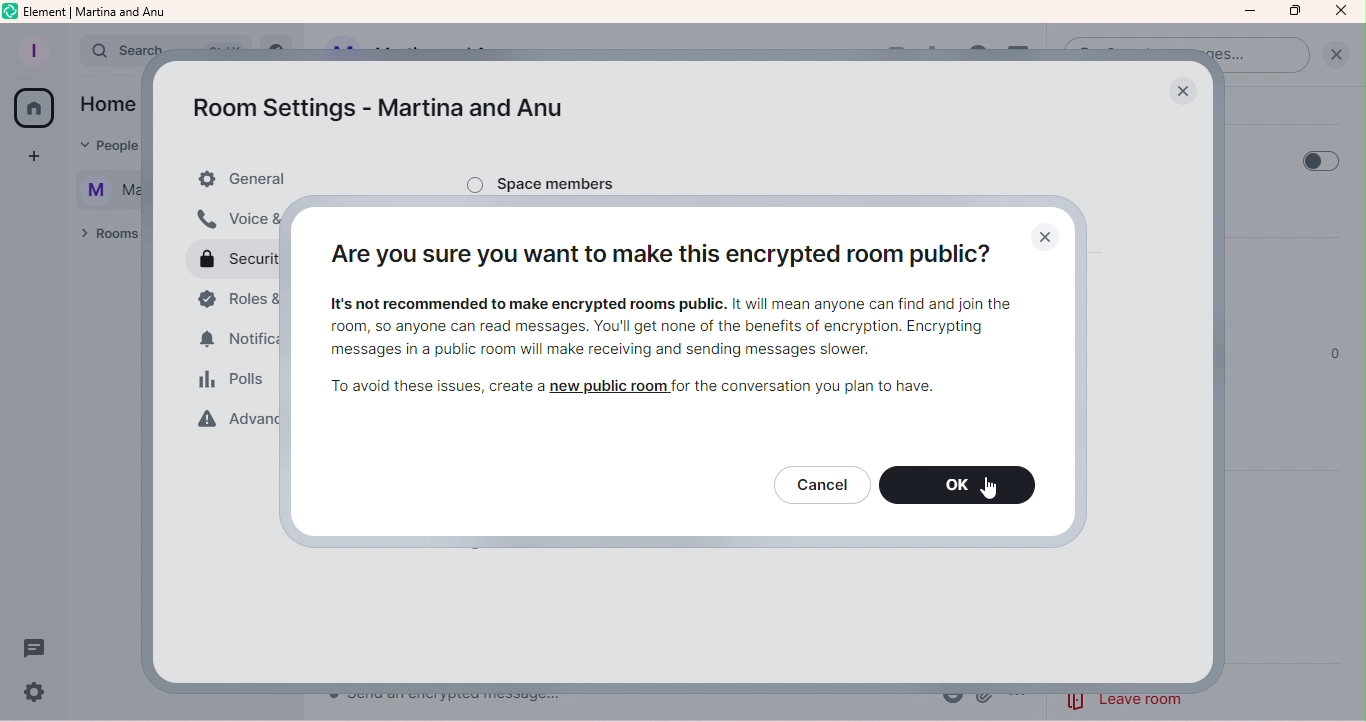  Describe the element at coordinates (33, 109) in the screenshot. I see `Home` at that location.